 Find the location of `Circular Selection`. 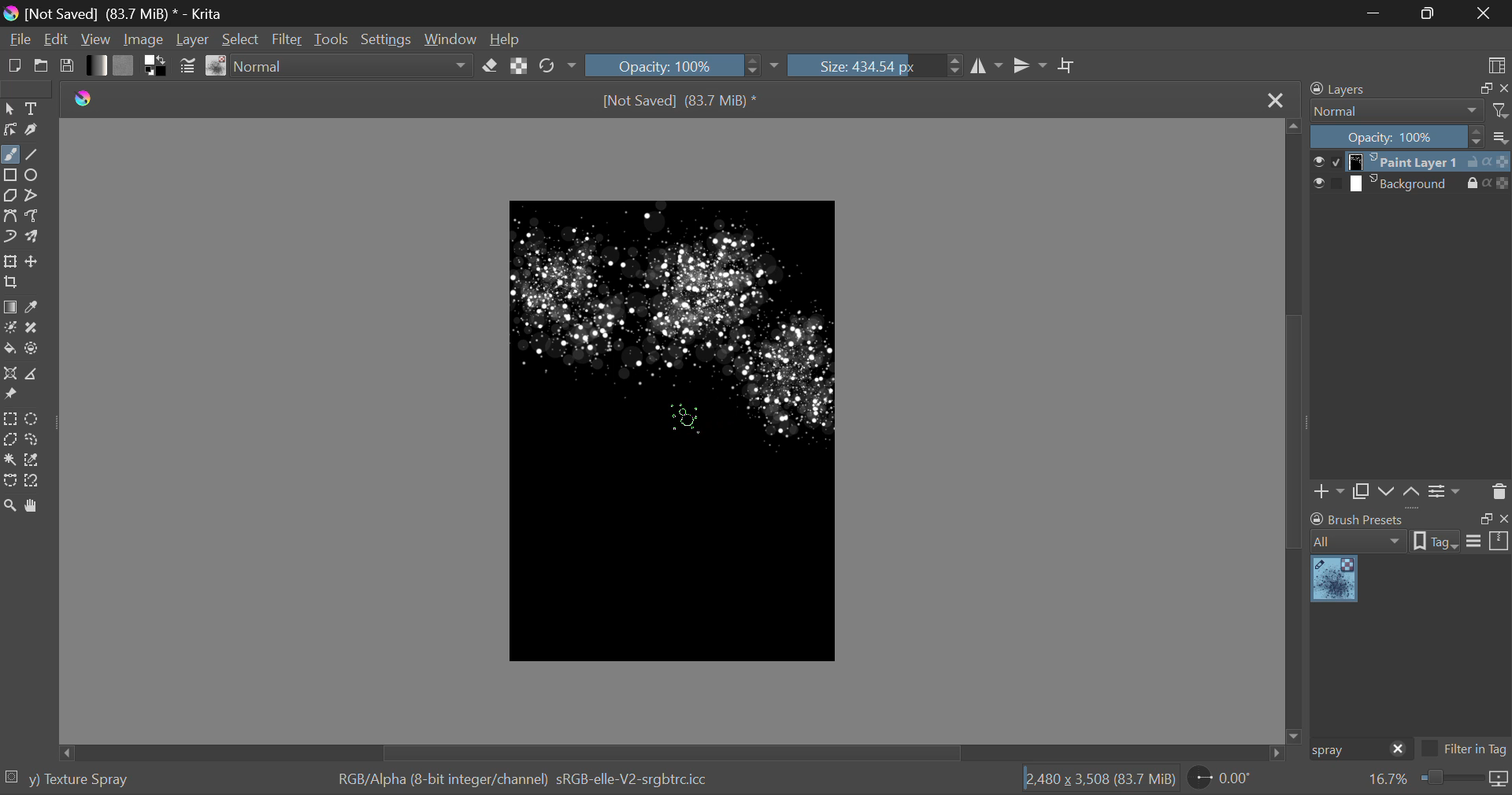

Circular Selection is located at coordinates (32, 419).